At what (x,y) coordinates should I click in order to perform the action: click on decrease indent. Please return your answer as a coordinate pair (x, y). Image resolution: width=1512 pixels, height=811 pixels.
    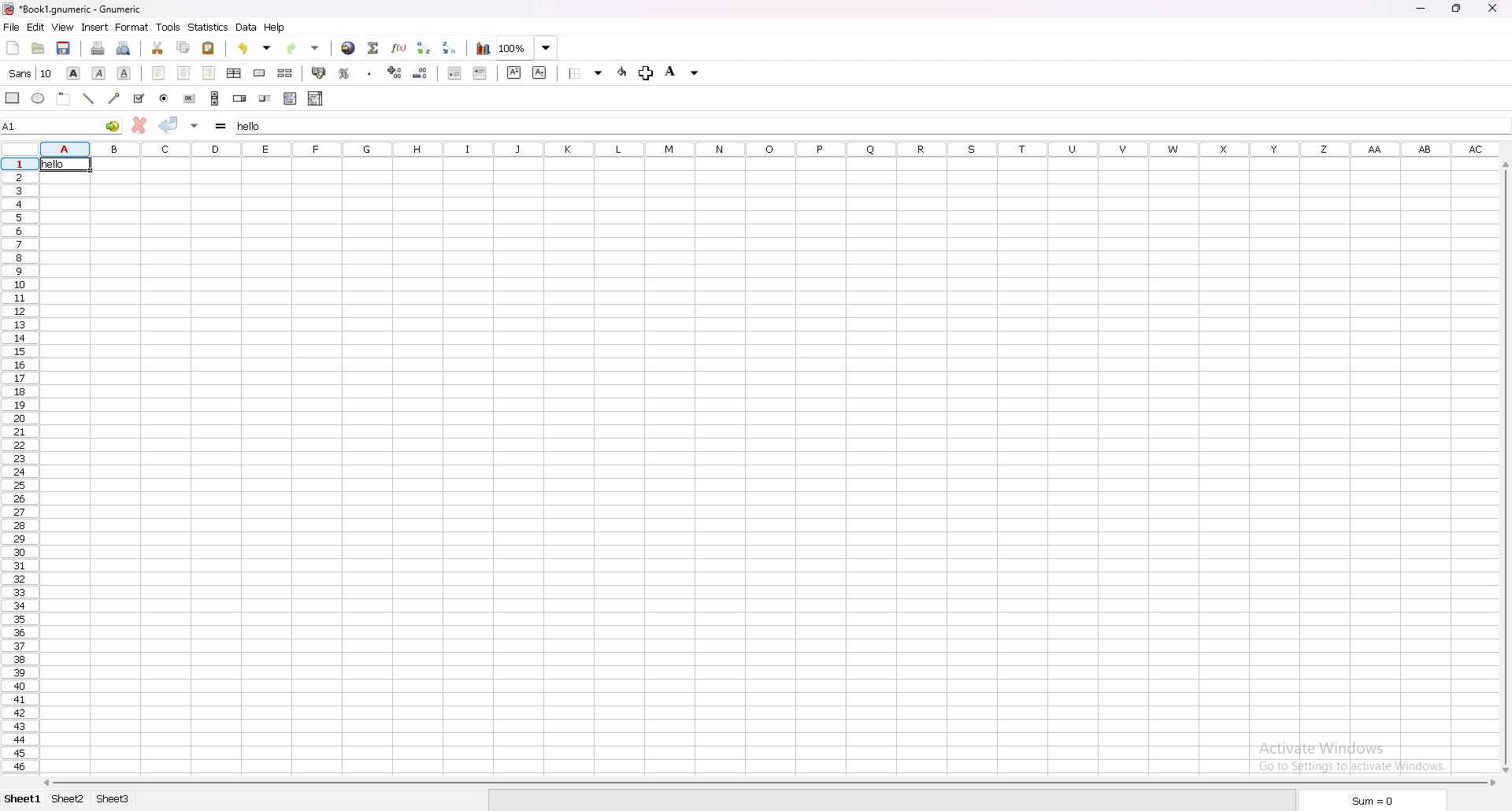
    Looking at the image, I should click on (454, 72).